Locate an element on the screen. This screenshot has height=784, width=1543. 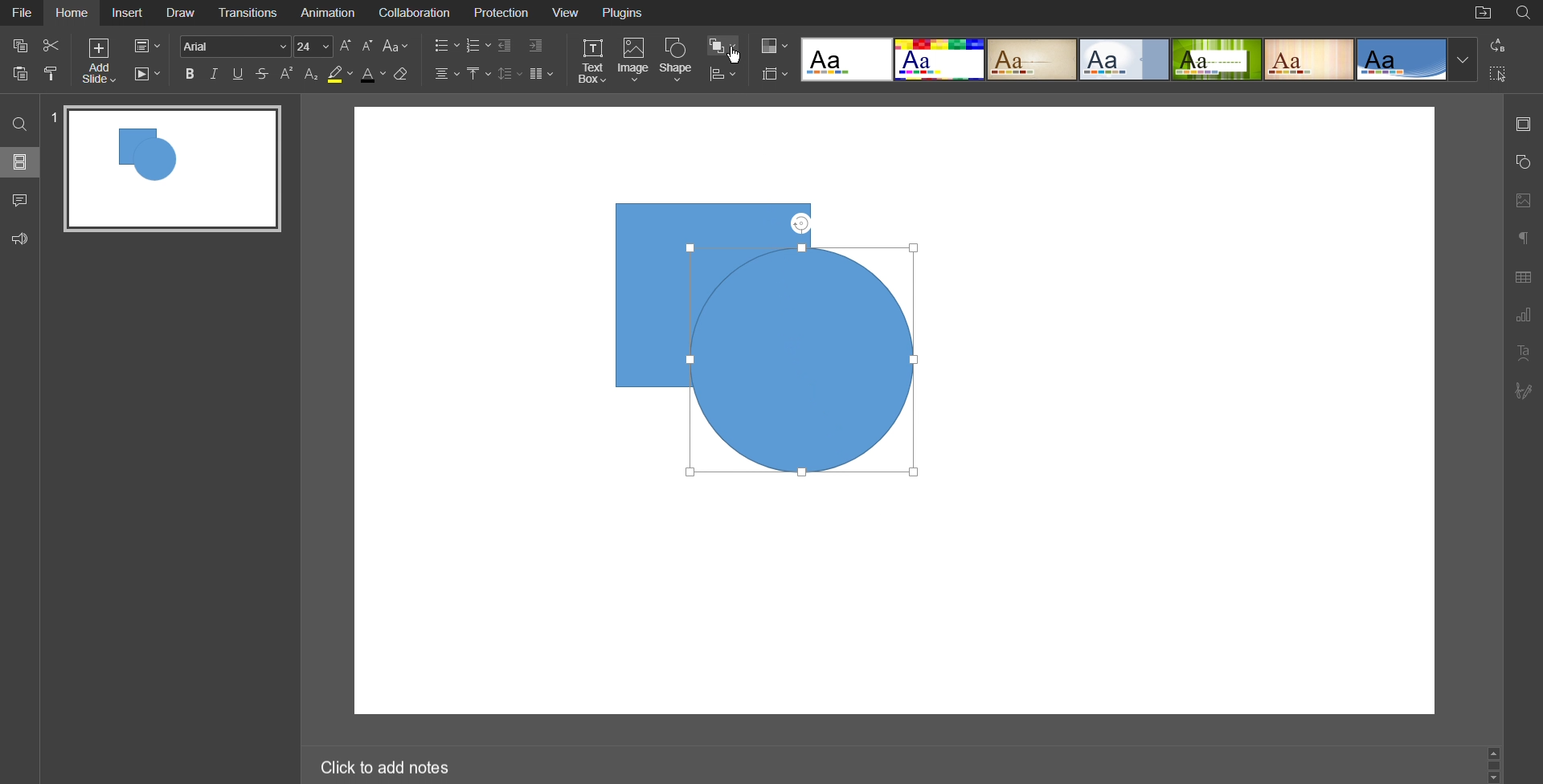
Playback Settings is located at coordinates (145, 74).